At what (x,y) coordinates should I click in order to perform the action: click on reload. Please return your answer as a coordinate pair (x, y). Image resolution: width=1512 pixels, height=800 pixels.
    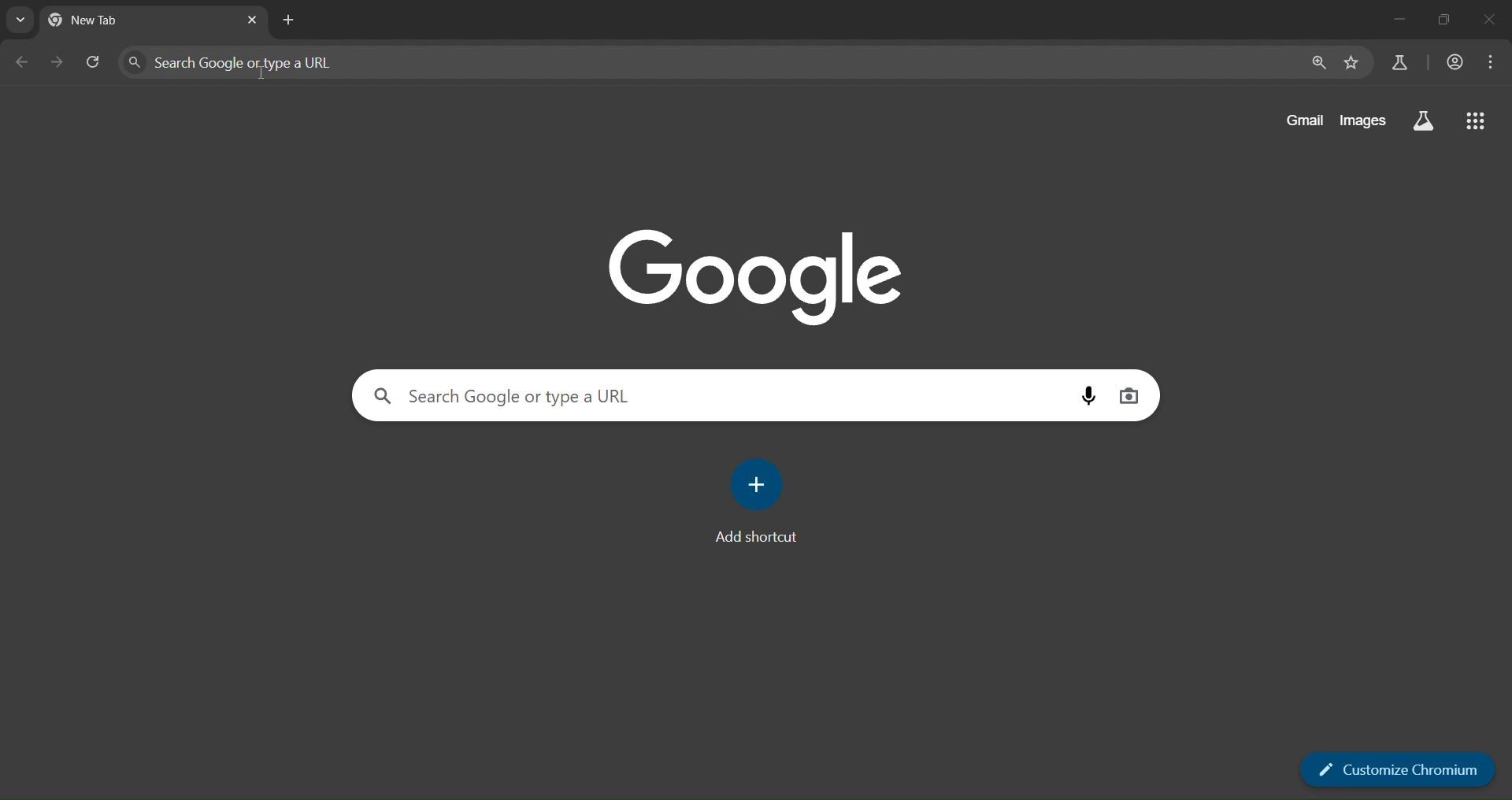
    Looking at the image, I should click on (91, 61).